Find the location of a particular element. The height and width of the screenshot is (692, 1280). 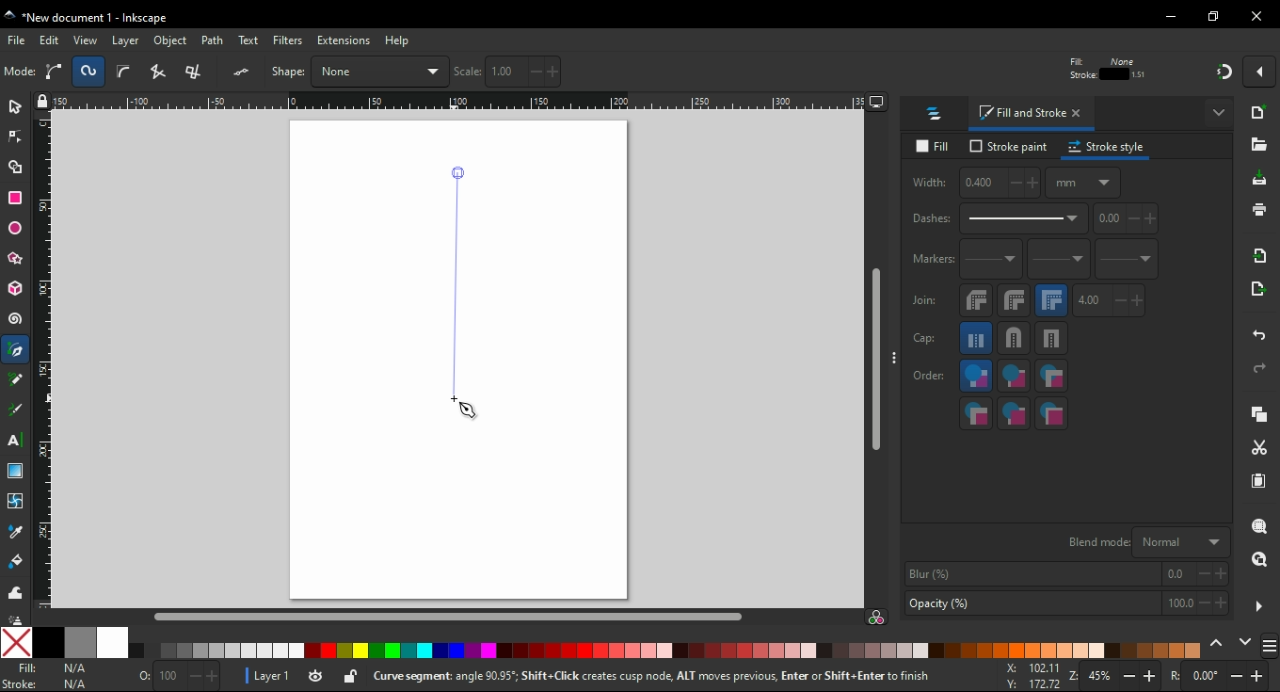

butt is located at coordinates (977, 338).